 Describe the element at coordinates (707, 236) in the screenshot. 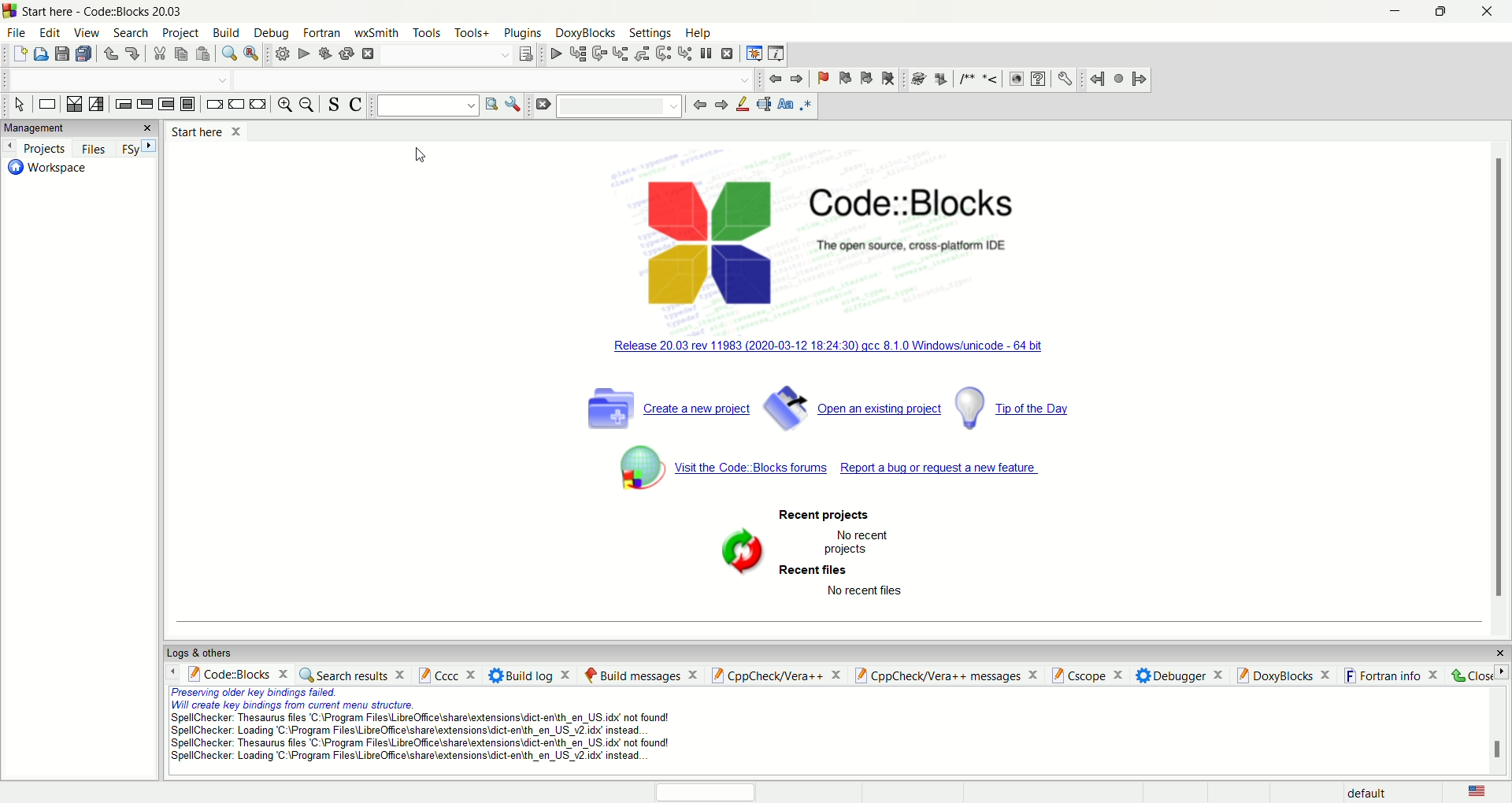

I see `logo` at that location.